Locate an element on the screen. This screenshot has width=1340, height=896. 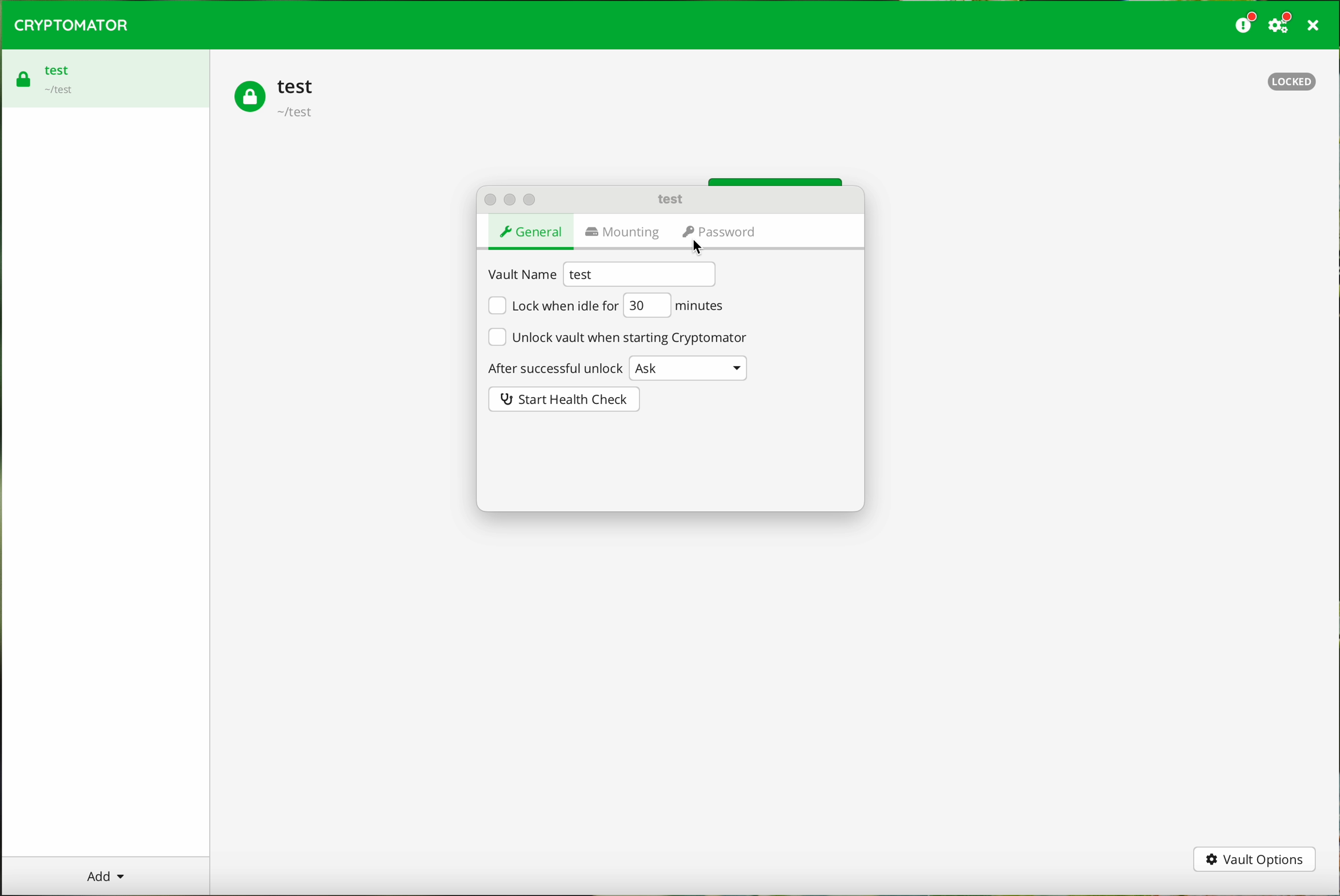
close program is located at coordinates (1317, 25).